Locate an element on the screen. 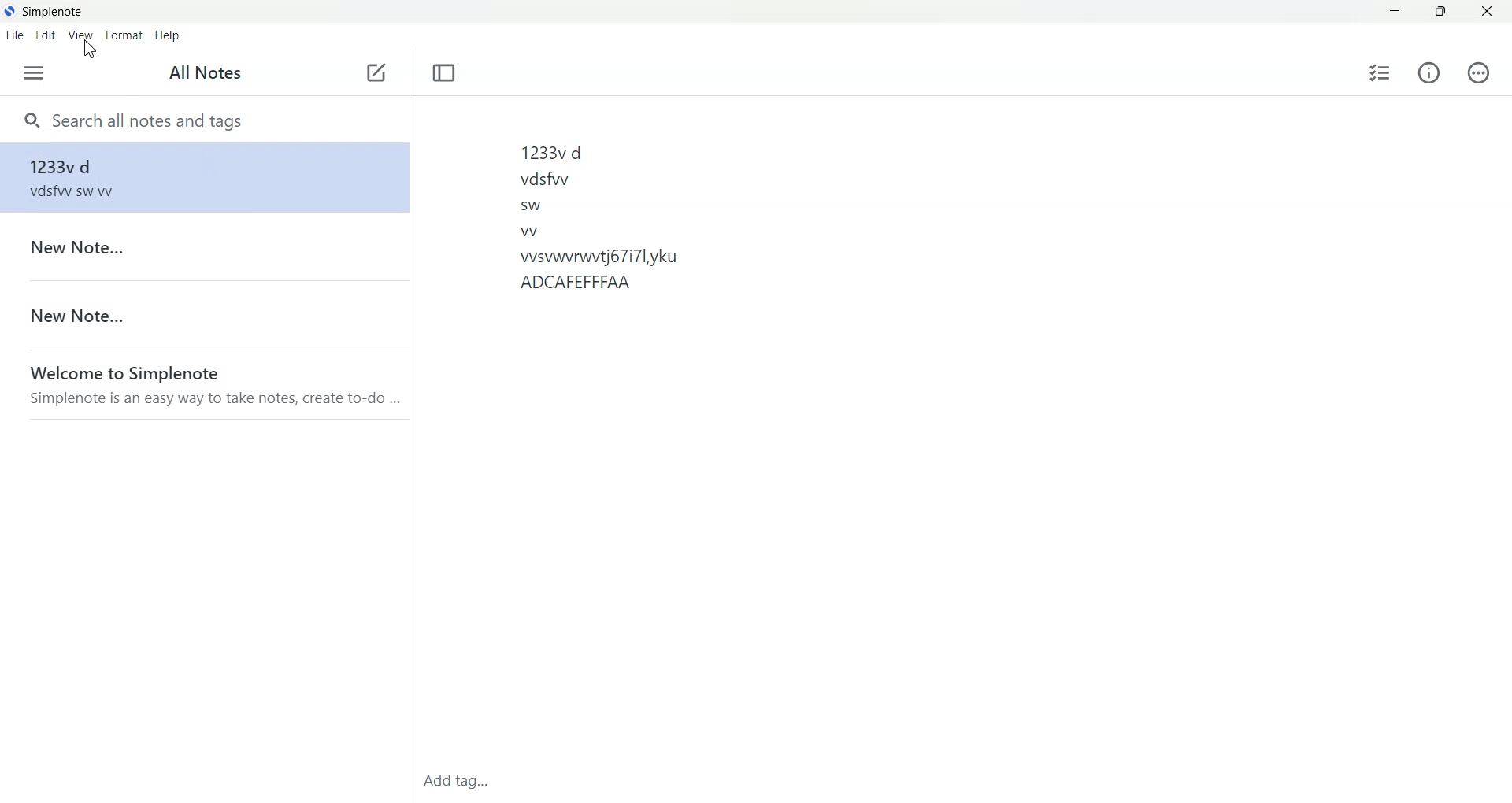 The height and width of the screenshot is (803, 1512). Format is located at coordinates (123, 36).